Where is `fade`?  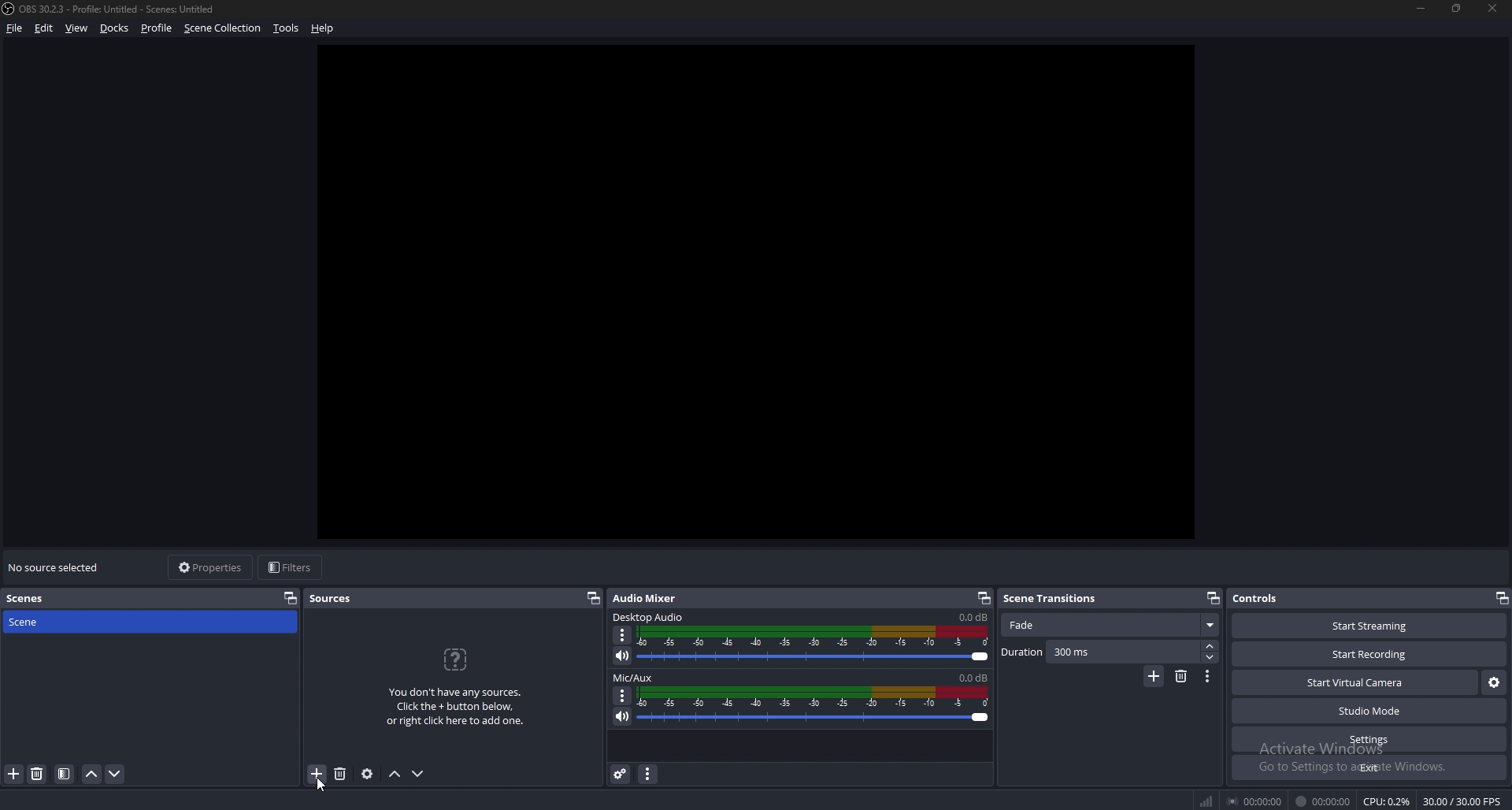 fade is located at coordinates (1111, 626).